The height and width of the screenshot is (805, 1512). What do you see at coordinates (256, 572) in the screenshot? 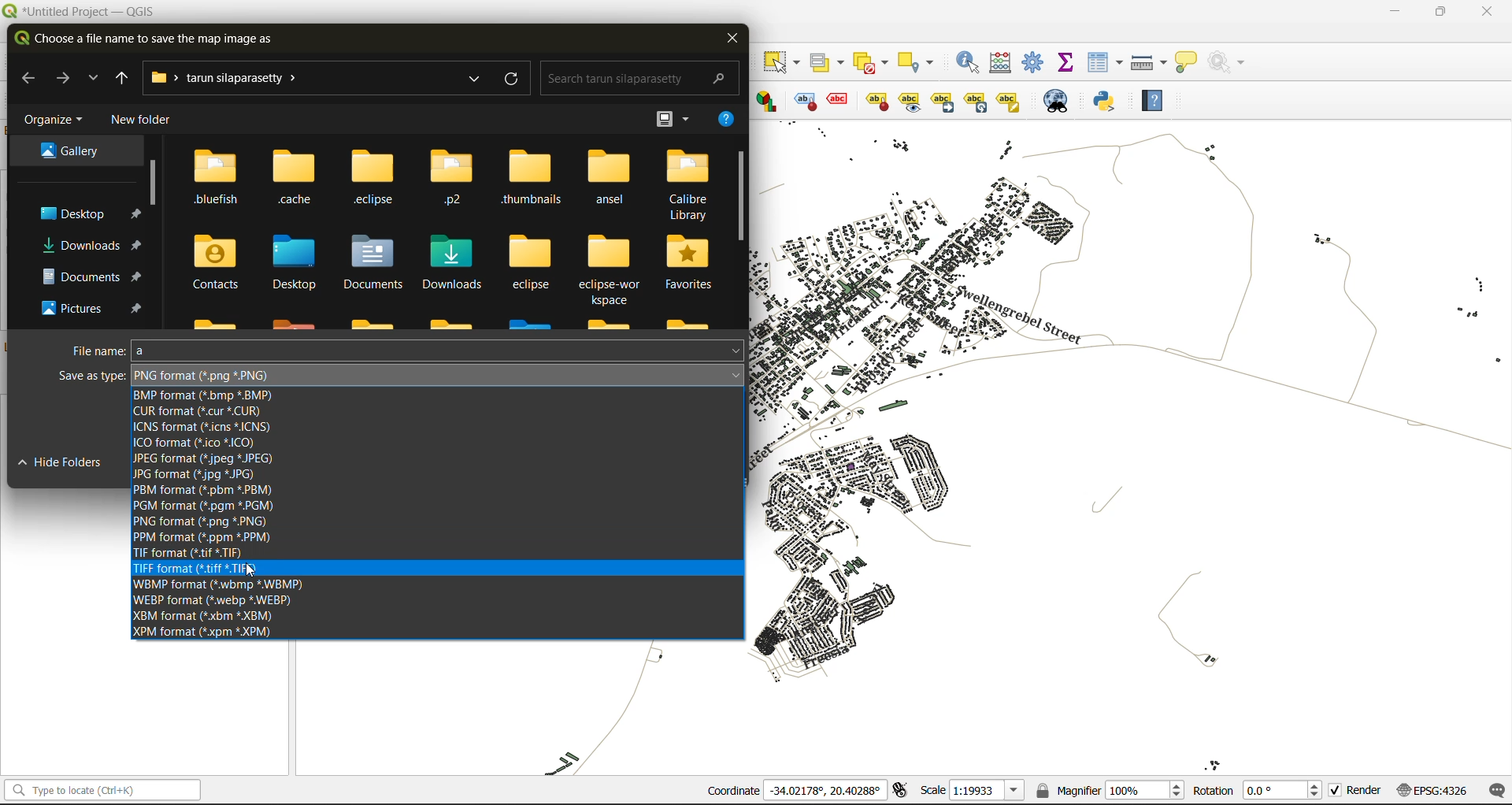
I see `cursor` at bounding box center [256, 572].